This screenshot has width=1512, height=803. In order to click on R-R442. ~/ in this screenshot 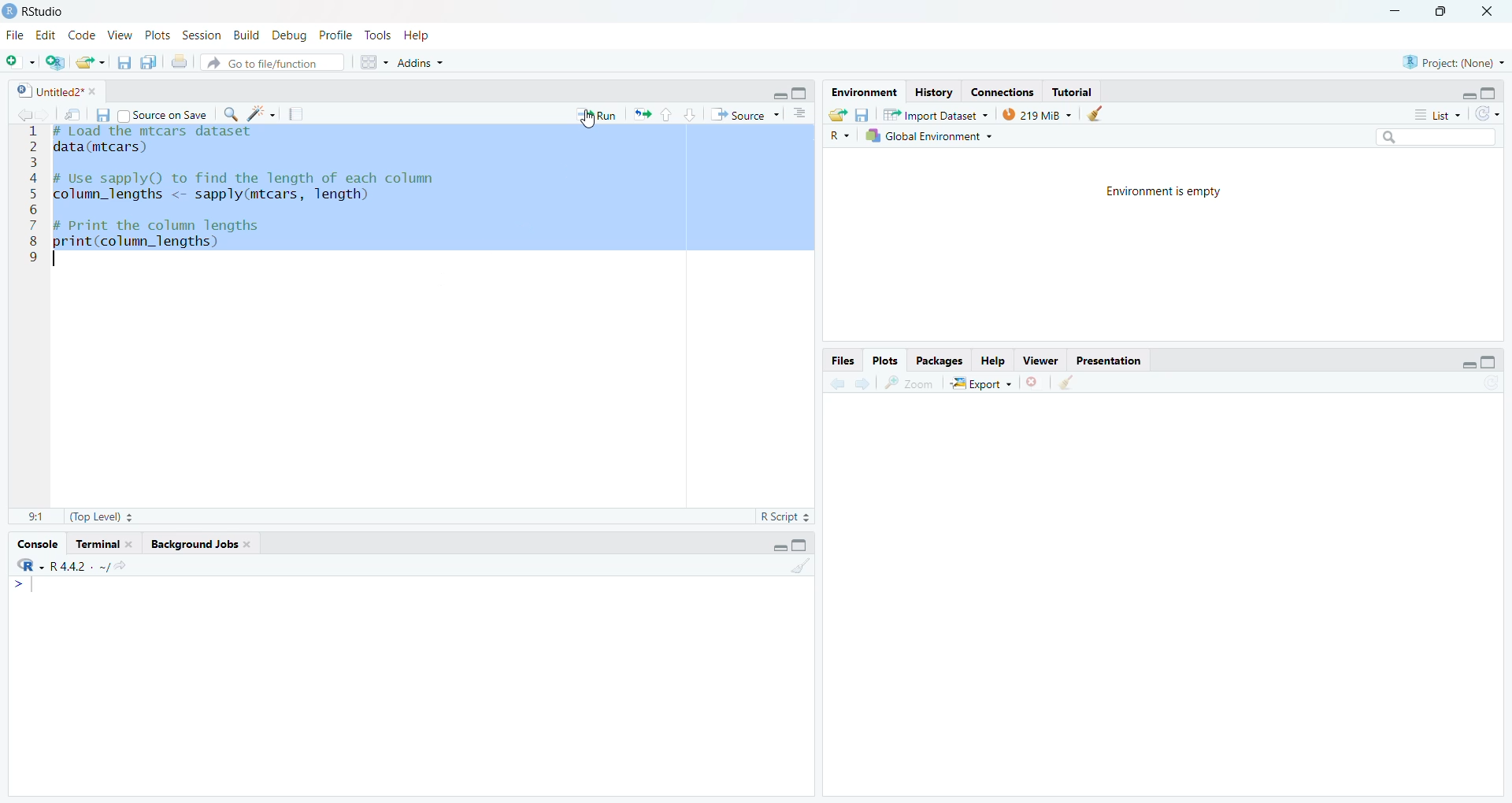, I will do `click(71, 566)`.